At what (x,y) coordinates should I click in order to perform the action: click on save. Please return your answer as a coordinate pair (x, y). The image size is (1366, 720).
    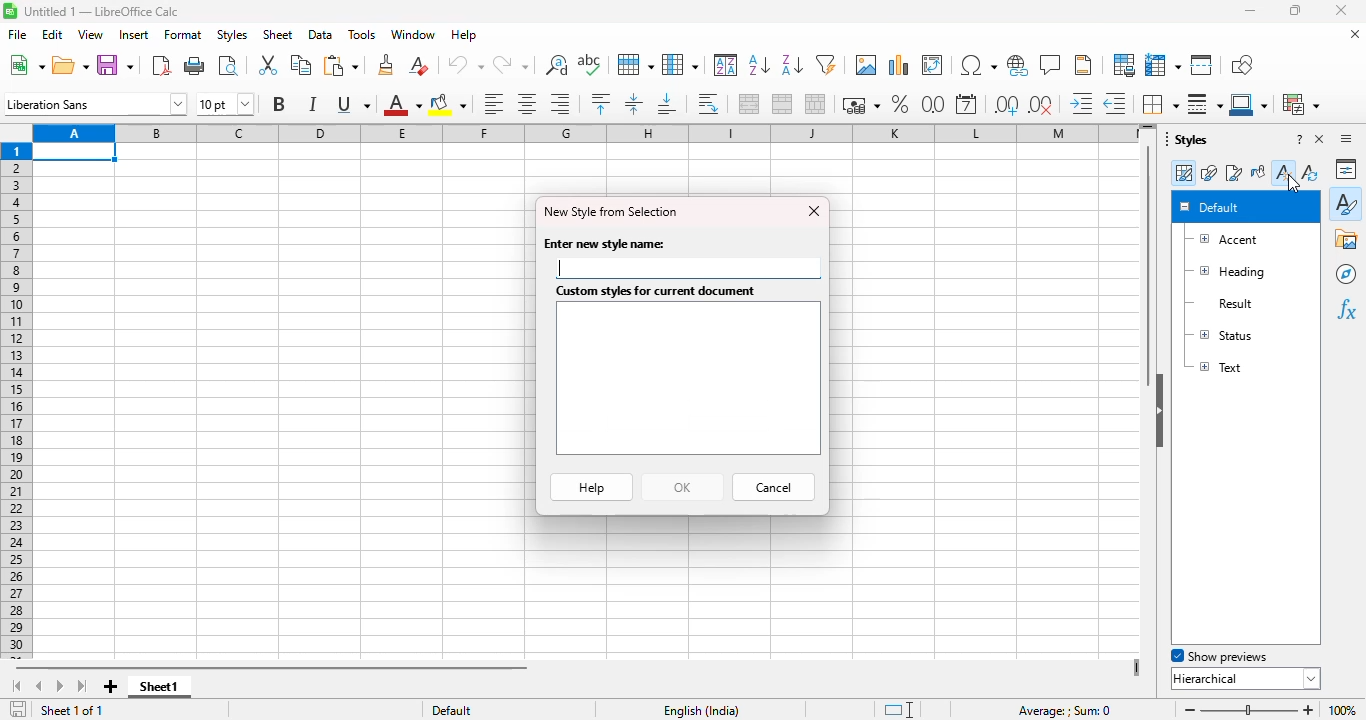
    Looking at the image, I should click on (115, 65).